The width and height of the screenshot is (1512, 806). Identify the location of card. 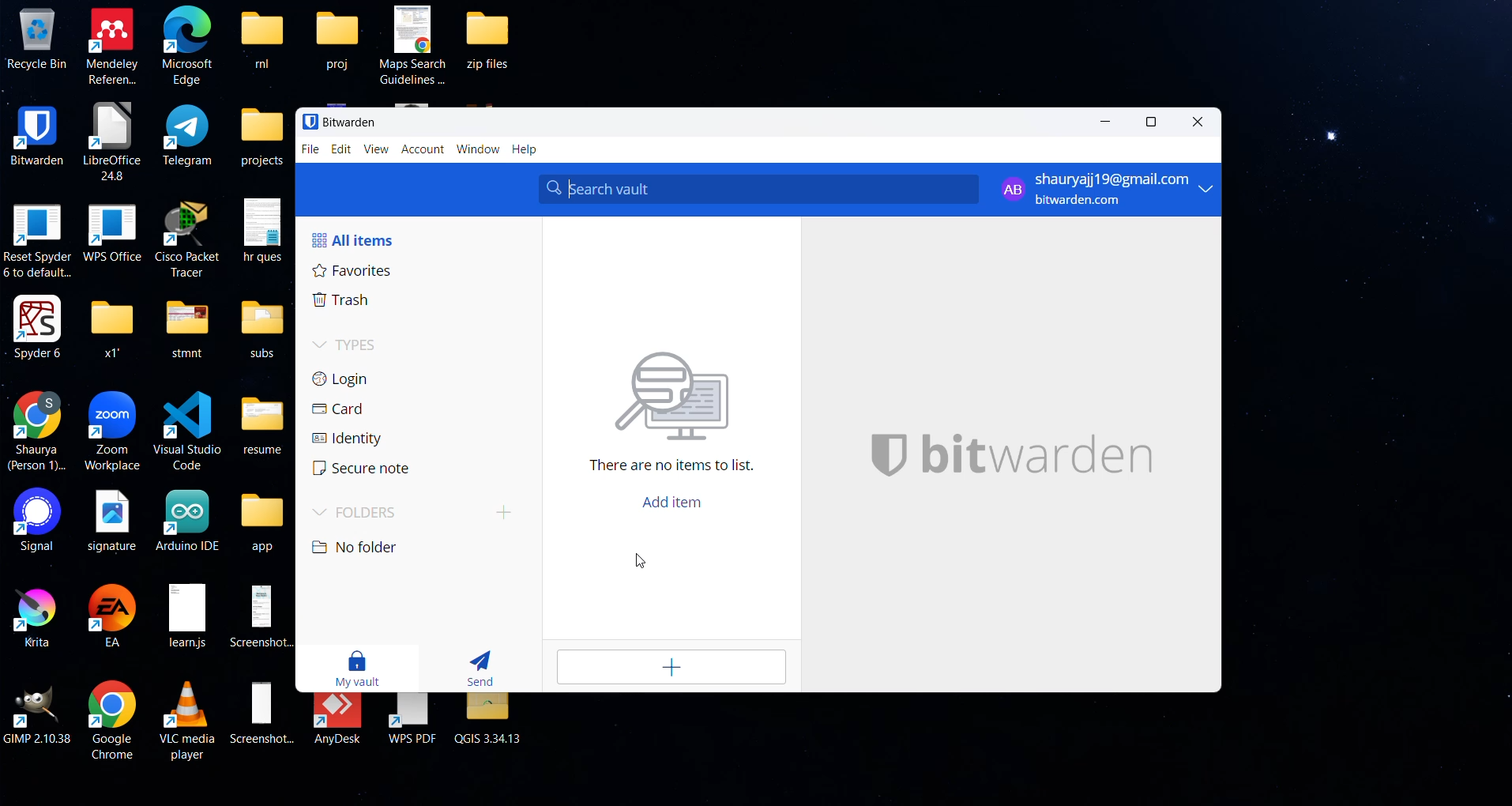
(365, 410).